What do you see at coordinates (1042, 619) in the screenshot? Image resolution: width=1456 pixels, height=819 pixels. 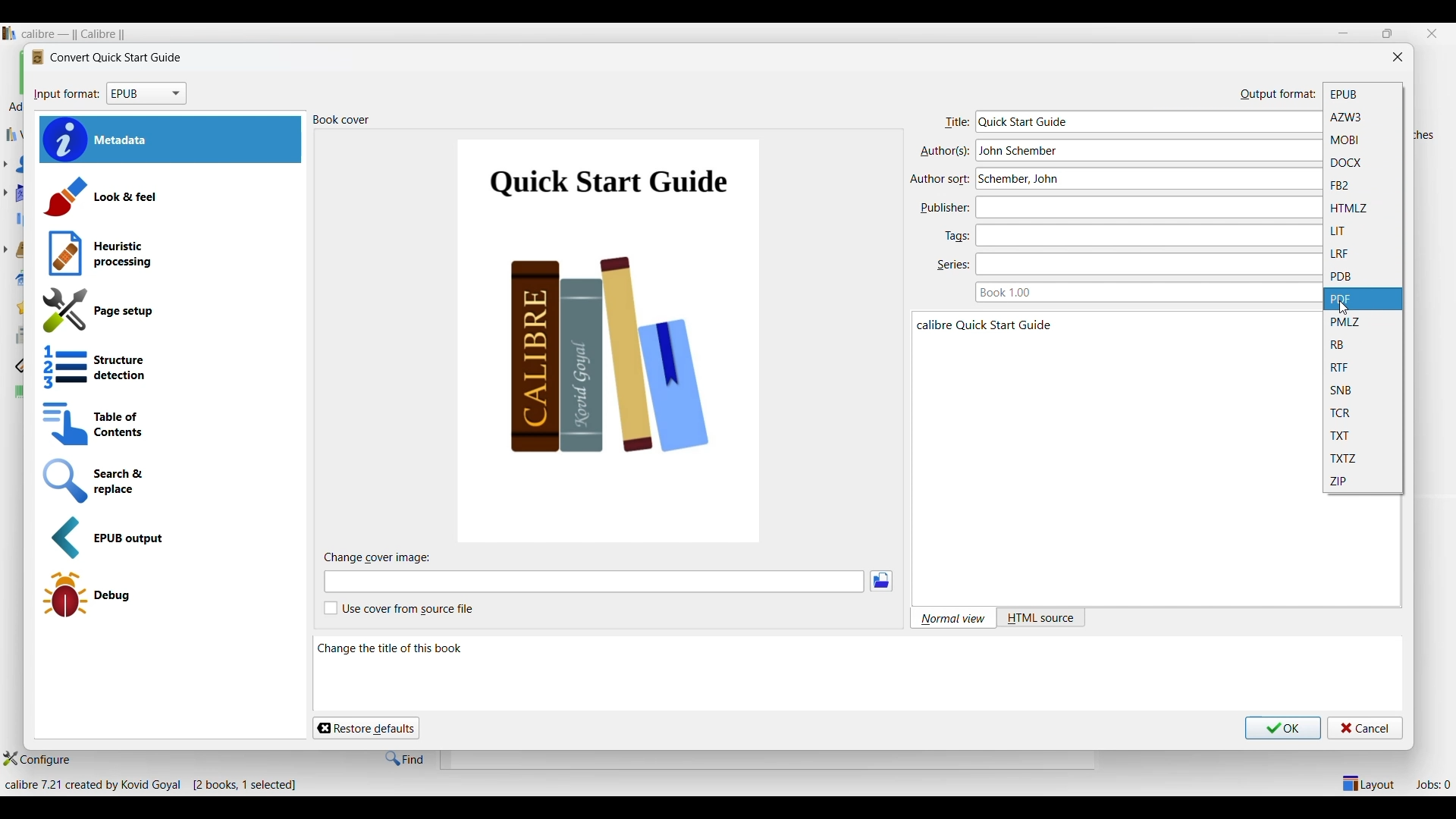 I see `HTML source` at bounding box center [1042, 619].